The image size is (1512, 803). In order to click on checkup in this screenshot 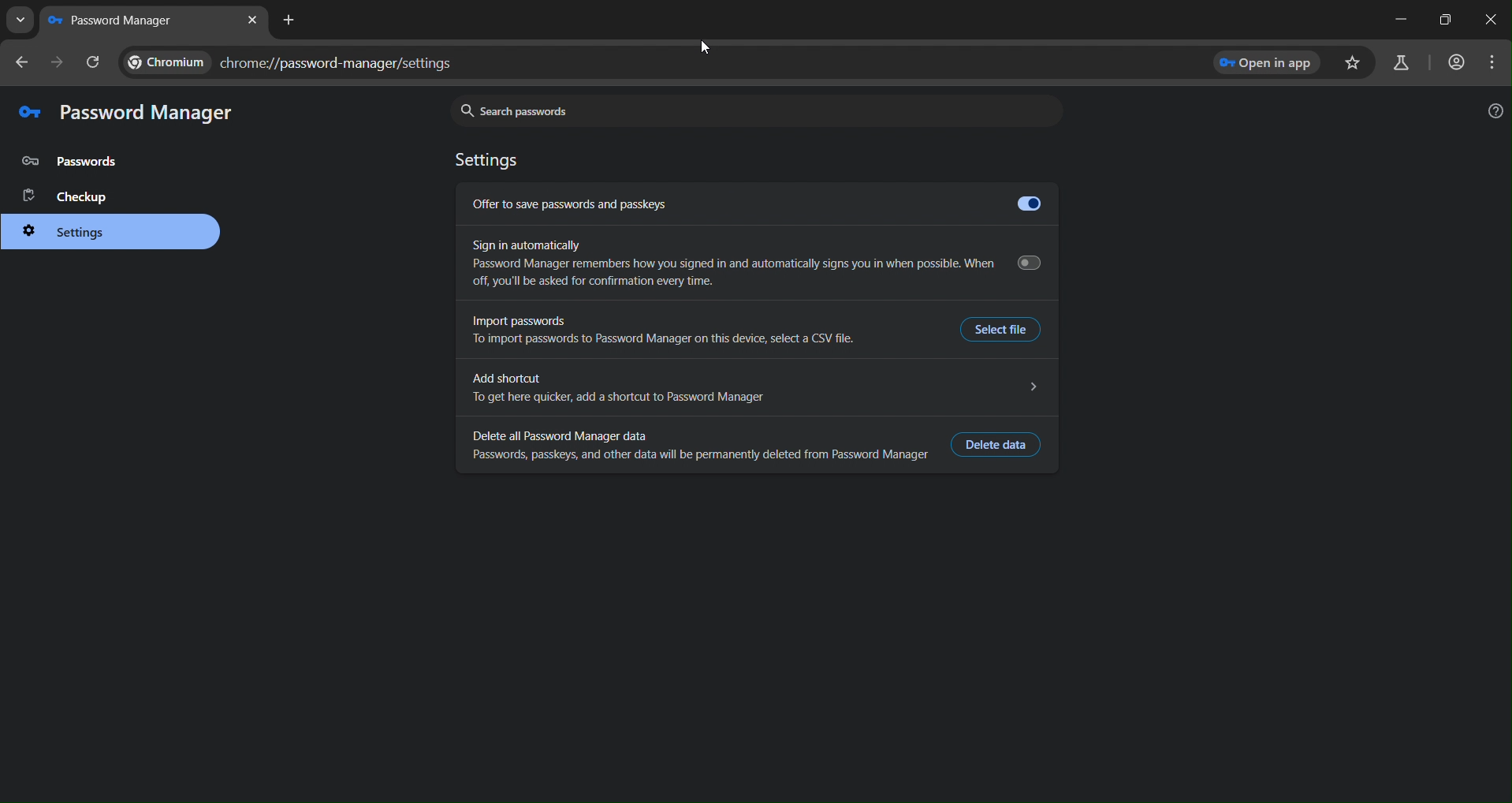, I will do `click(73, 196)`.